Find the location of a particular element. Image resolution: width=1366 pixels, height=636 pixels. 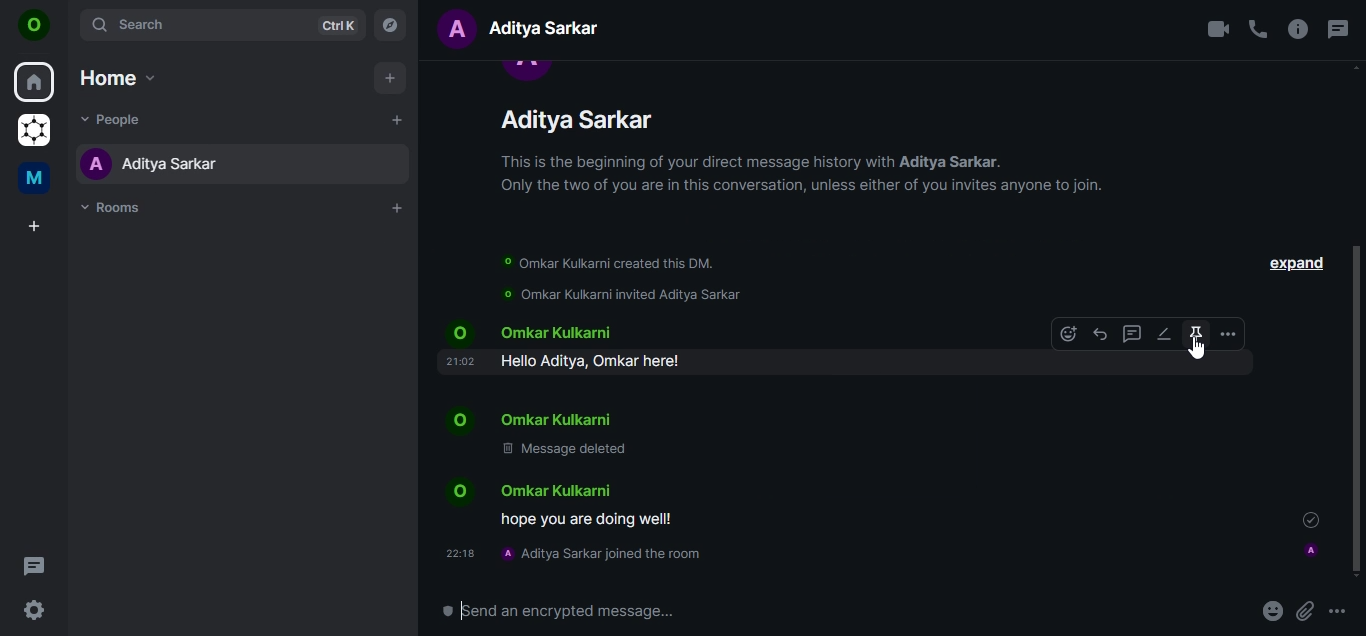

more options is located at coordinates (1232, 333).